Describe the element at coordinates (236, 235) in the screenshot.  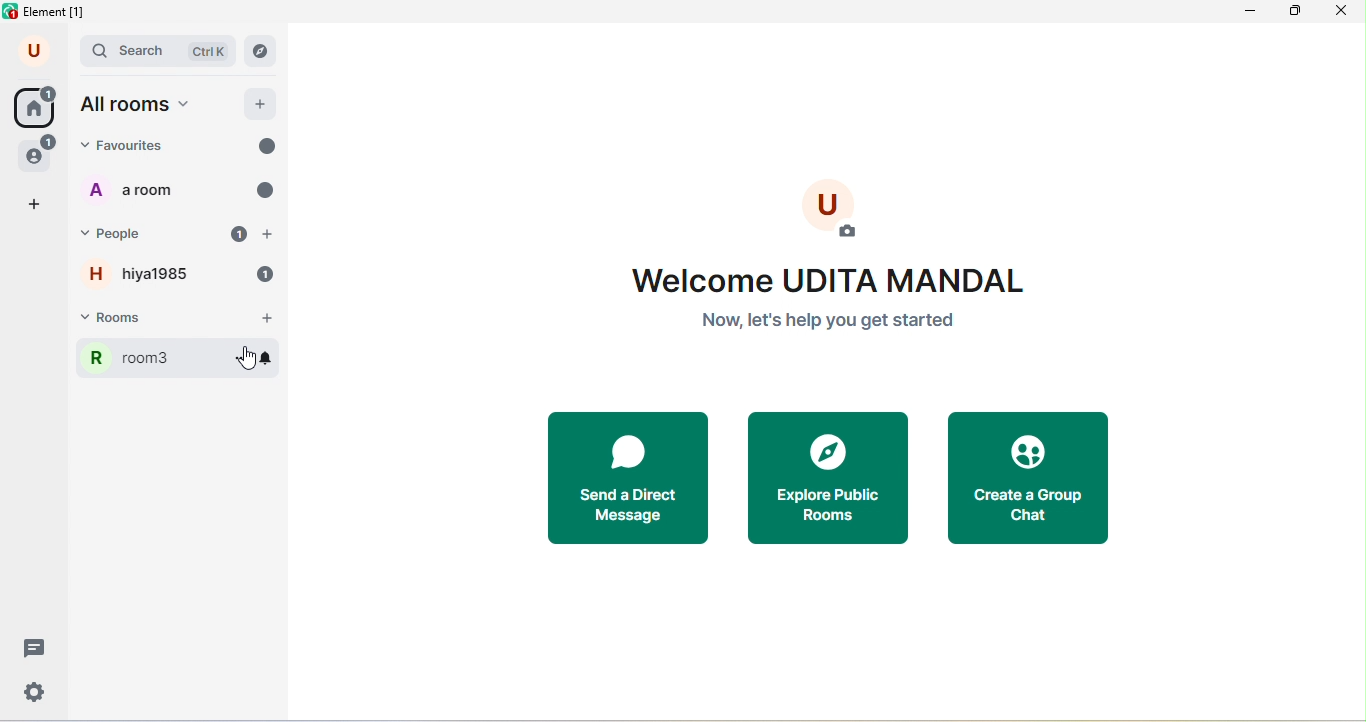
I see `unread message symbol` at that location.